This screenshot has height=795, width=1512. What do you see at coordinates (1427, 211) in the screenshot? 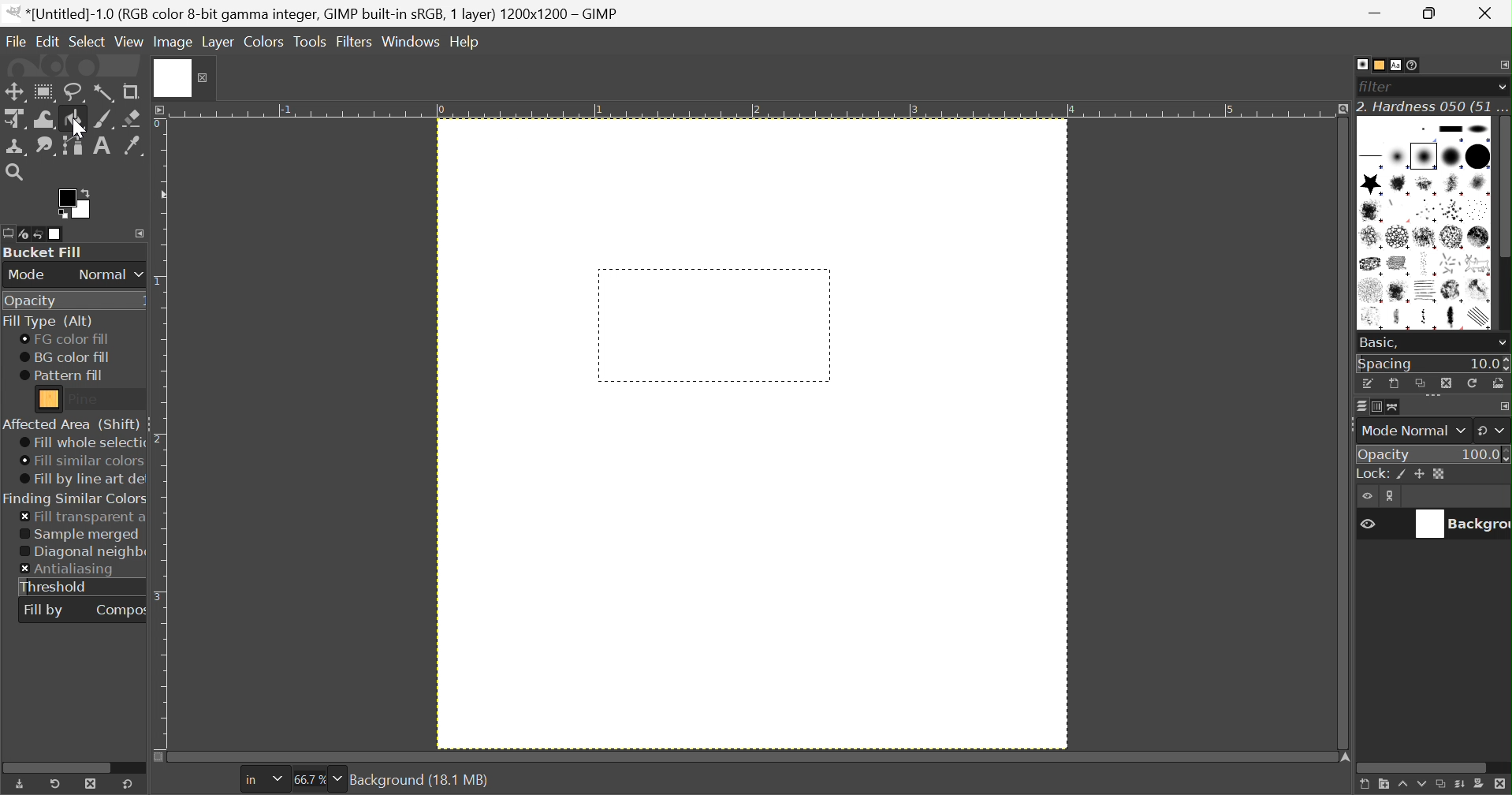
I see `Bristles` at bounding box center [1427, 211].